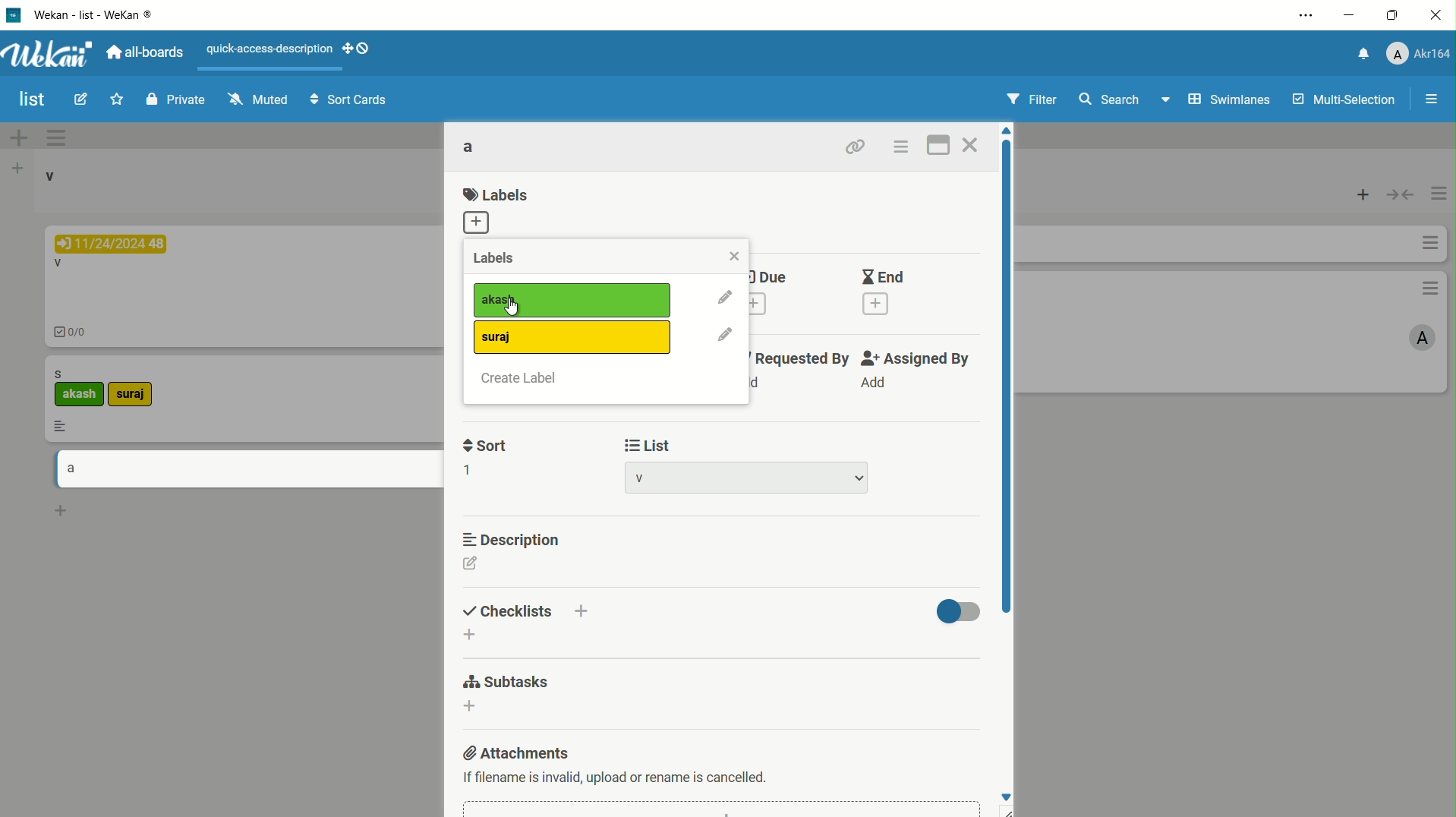 This screenshot has height=817, width=1456. I want to click on dd subtasks, so click(469, 708).